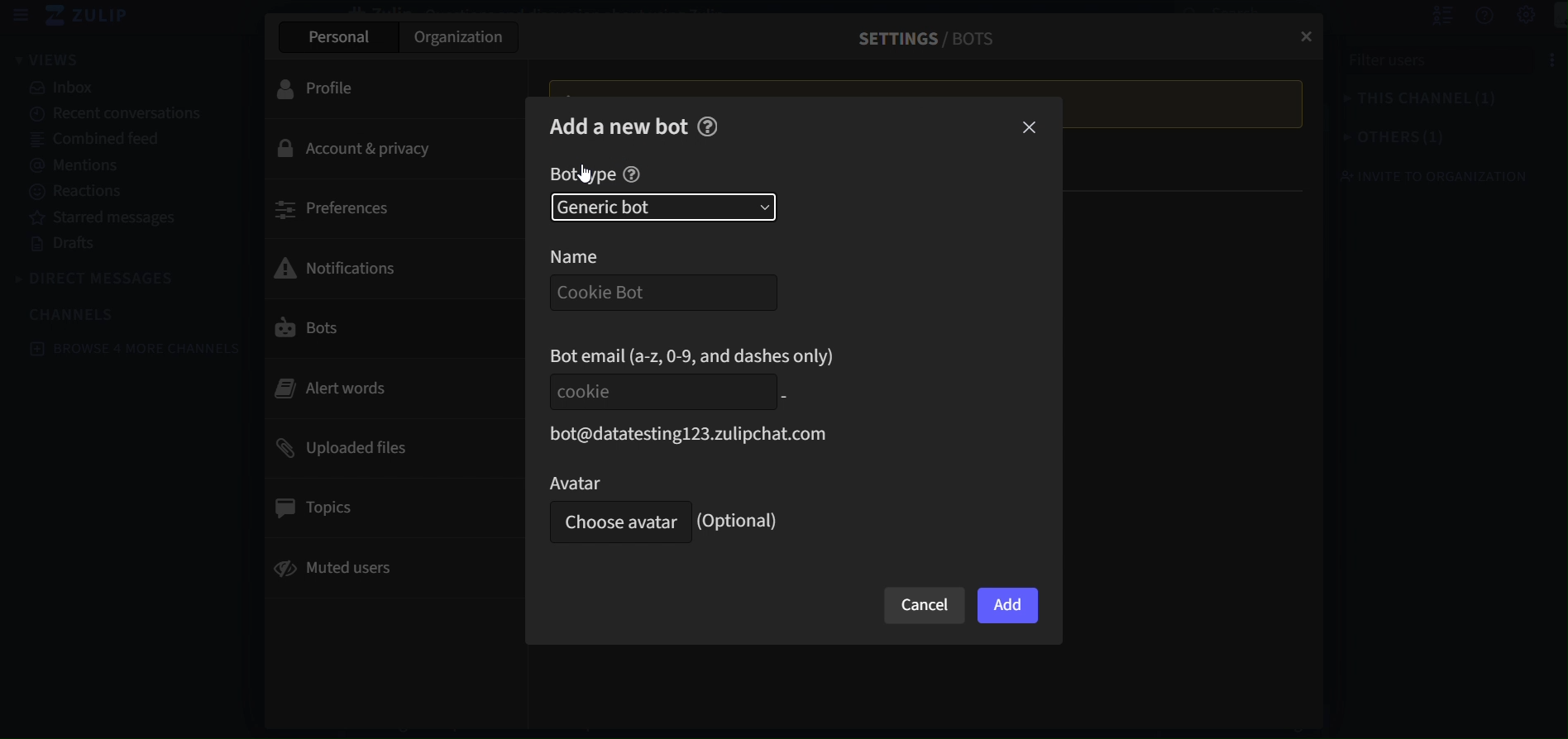  What do you see at coordinates (691, 431) in the screenshot?
I see `bot@datatesting123.zulipchat.com` at bounding box center [691, 431].